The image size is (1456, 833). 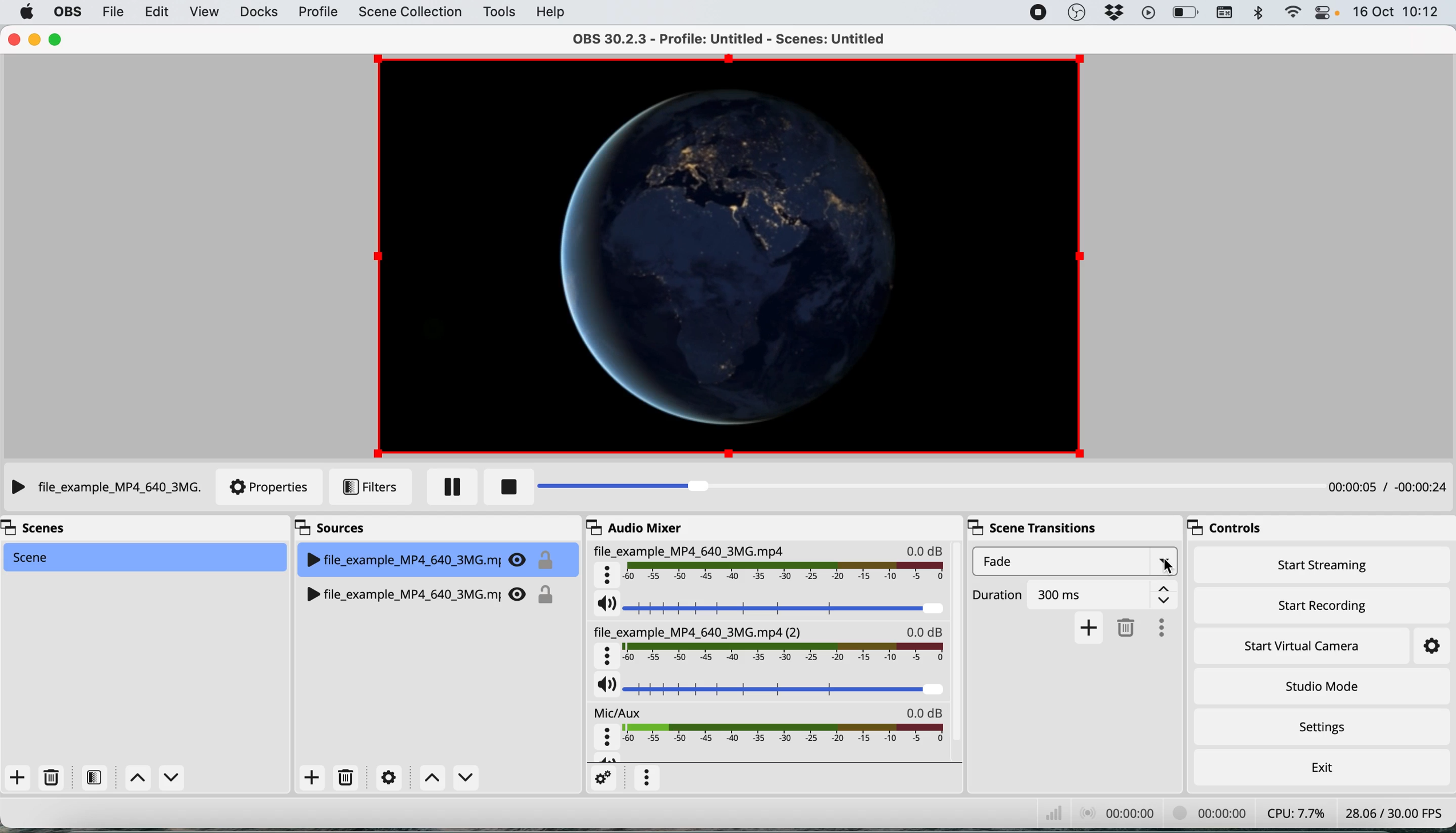 What do you see at coordinates (13, 40) in the screenshot?
I see `close` at bounding box center [13, 40].